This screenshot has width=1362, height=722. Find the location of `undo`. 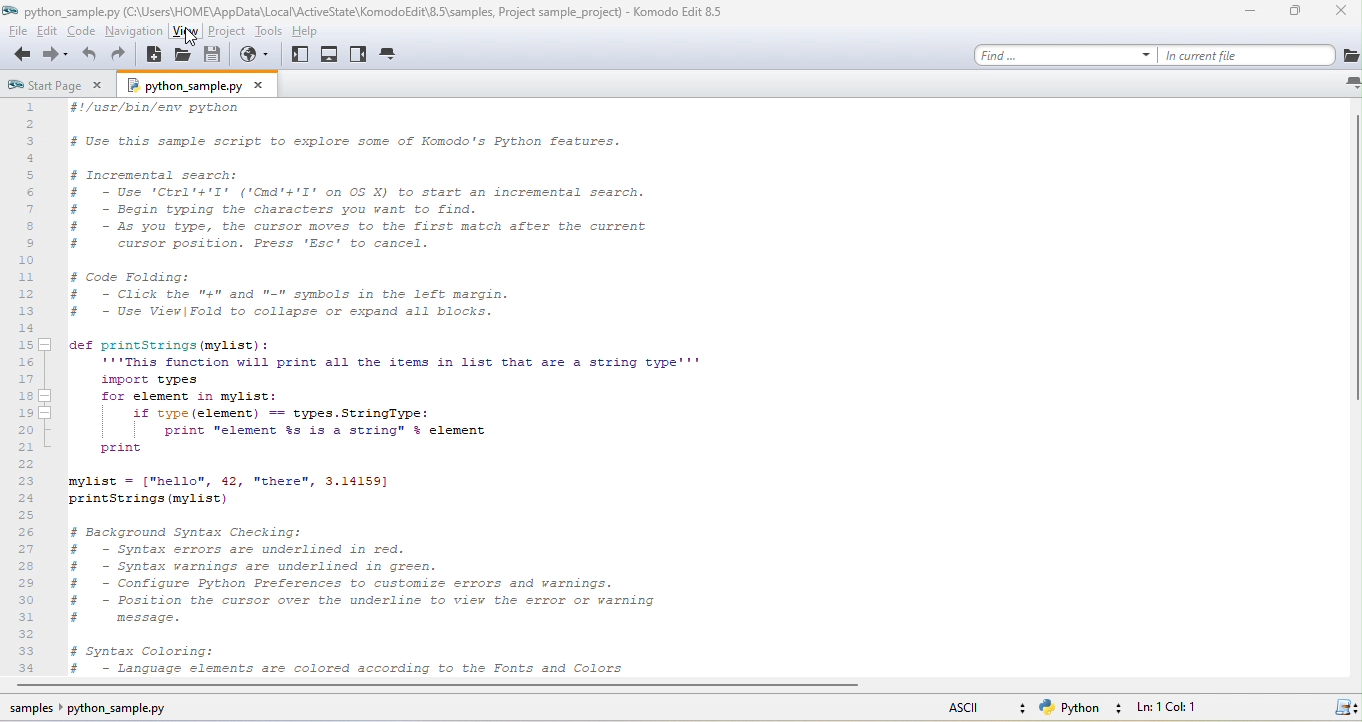

undo is located at coordinates (90, 57).